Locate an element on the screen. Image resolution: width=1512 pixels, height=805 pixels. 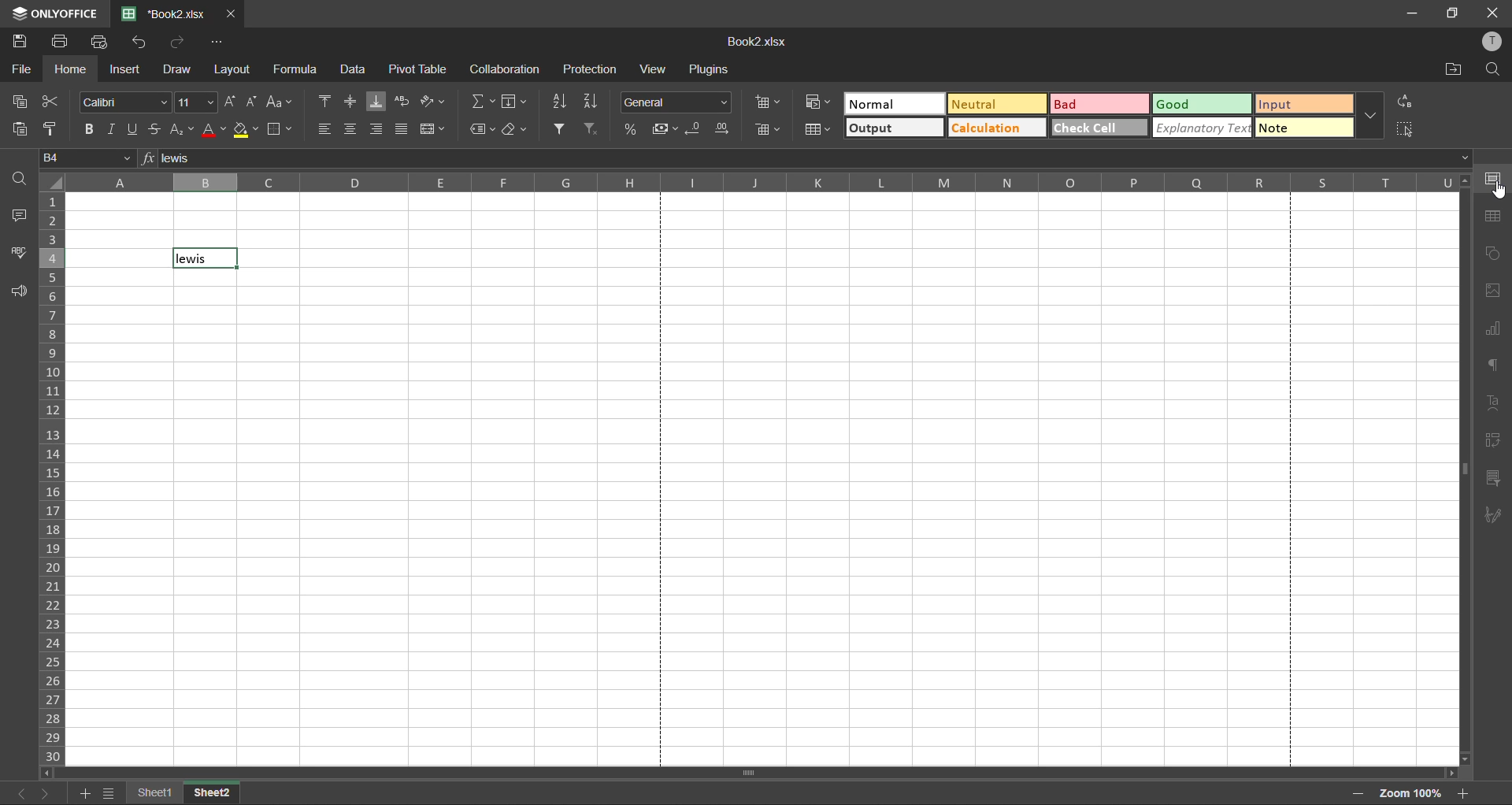
quick print is located at coordinates (98, 41).